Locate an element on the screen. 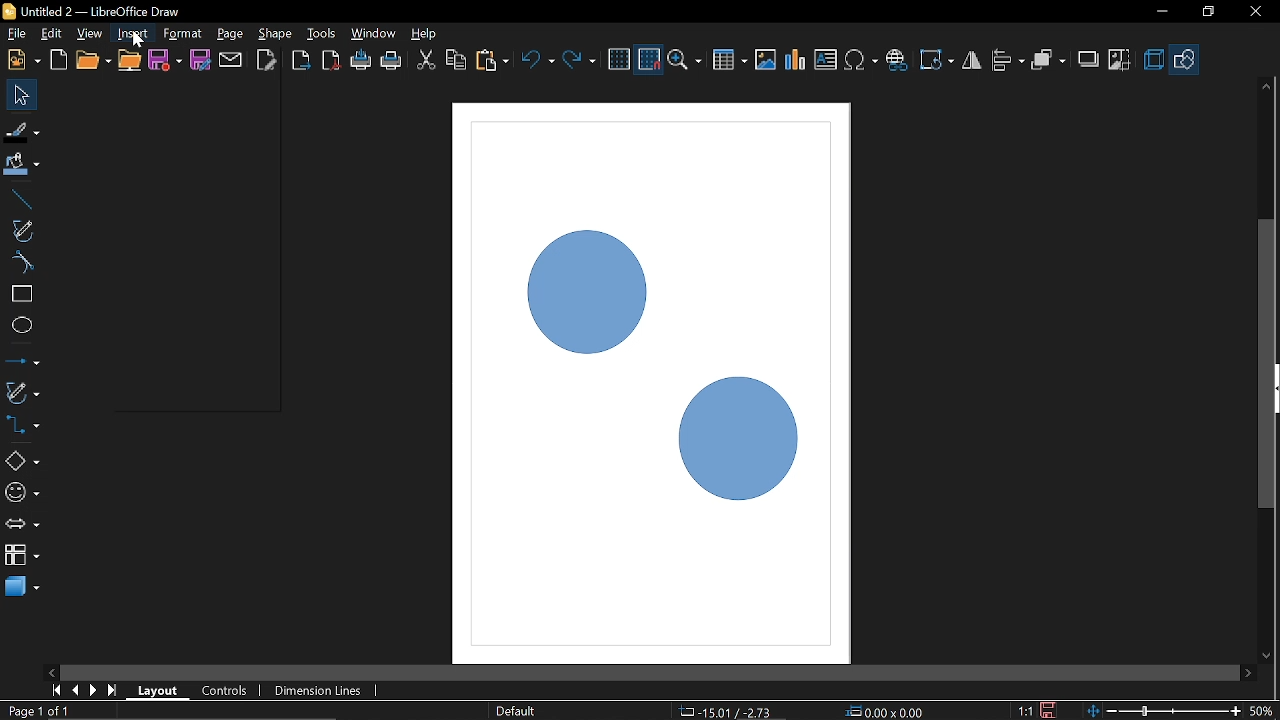 The image size is (1280, 720). co-ordinate is located at coordinates (888, 711).